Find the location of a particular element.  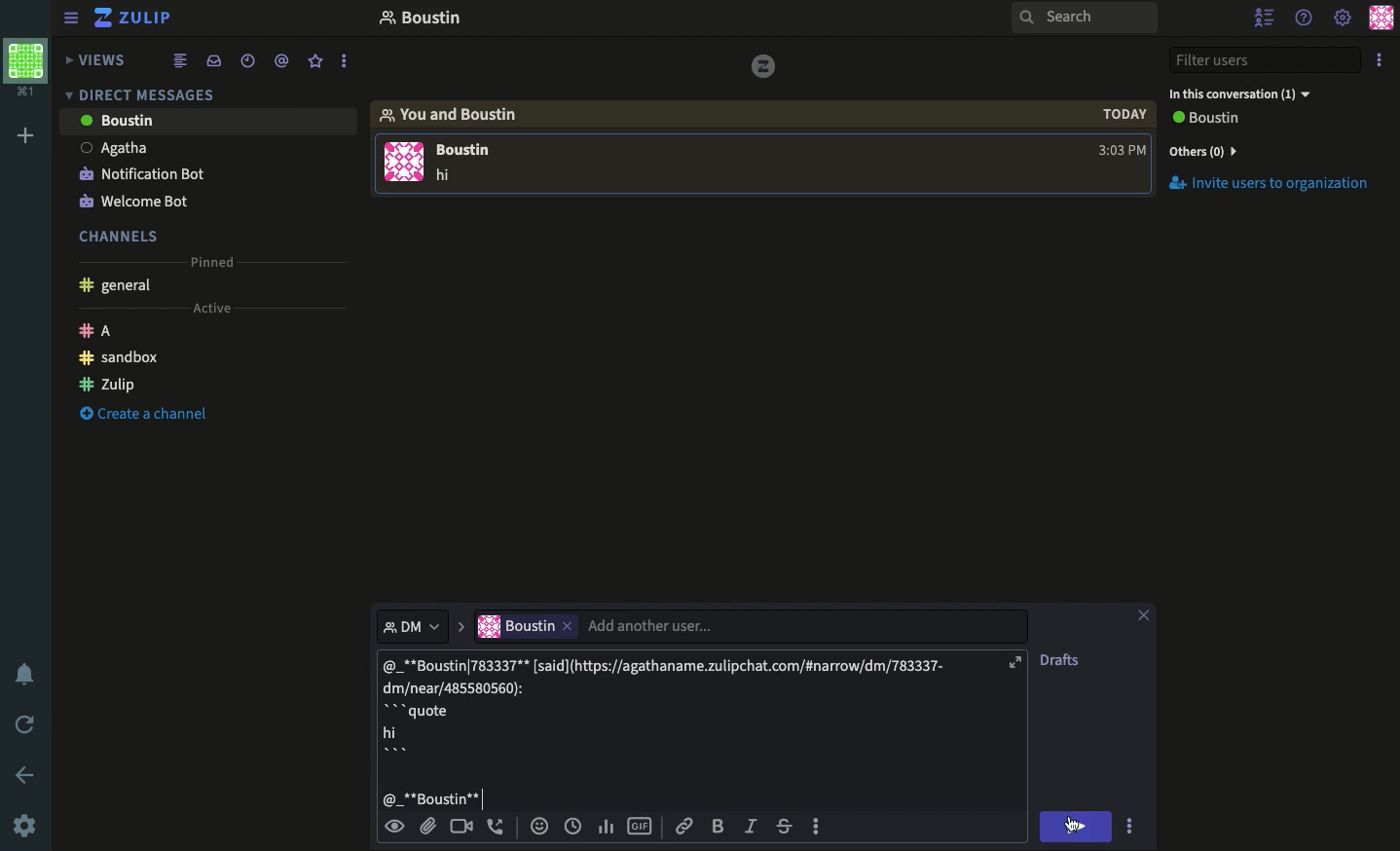

Strikethrough  is located at coordinates (787, 828).